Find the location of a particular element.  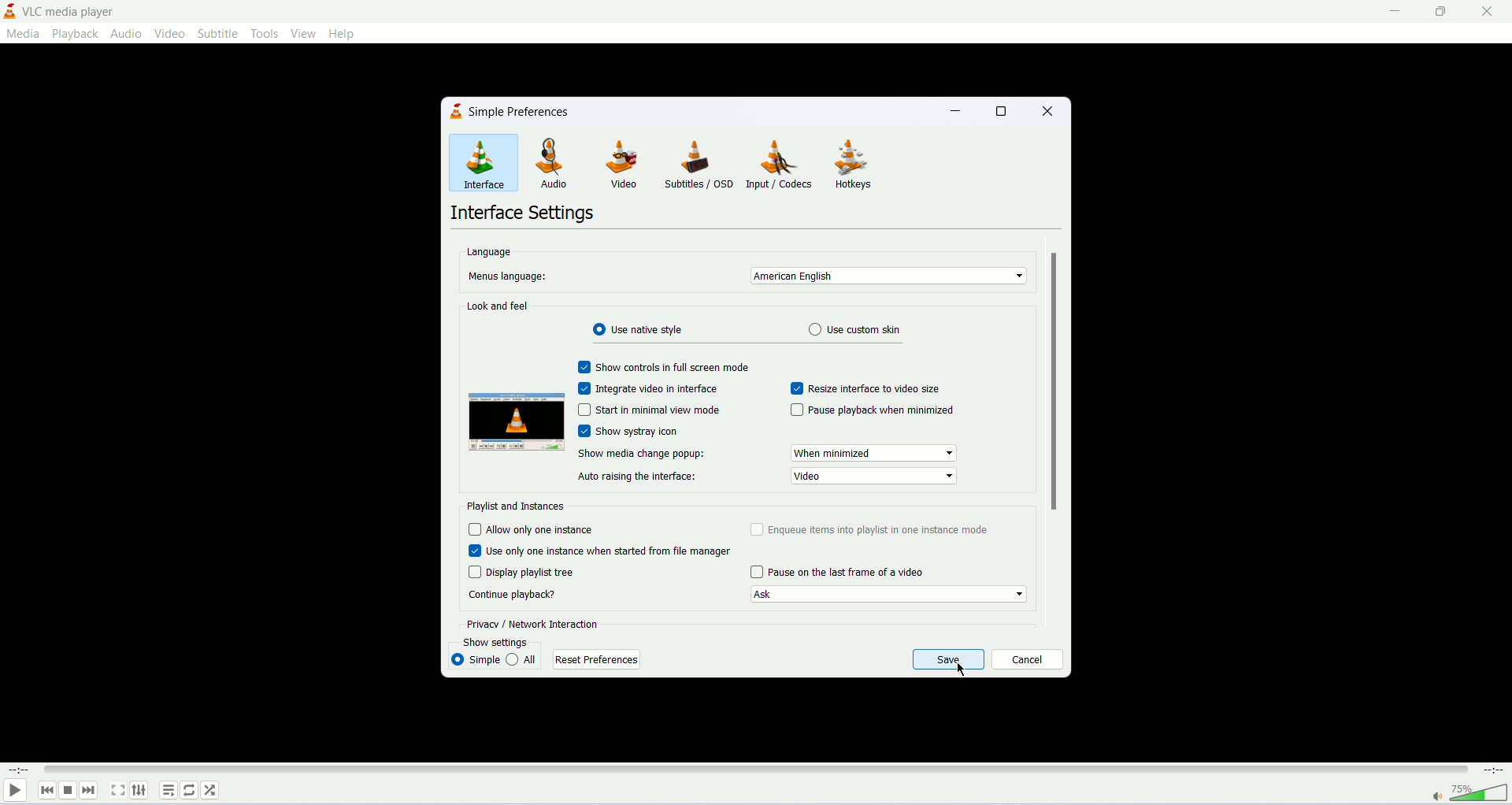

extended settings is located at coordinates (139, 789).